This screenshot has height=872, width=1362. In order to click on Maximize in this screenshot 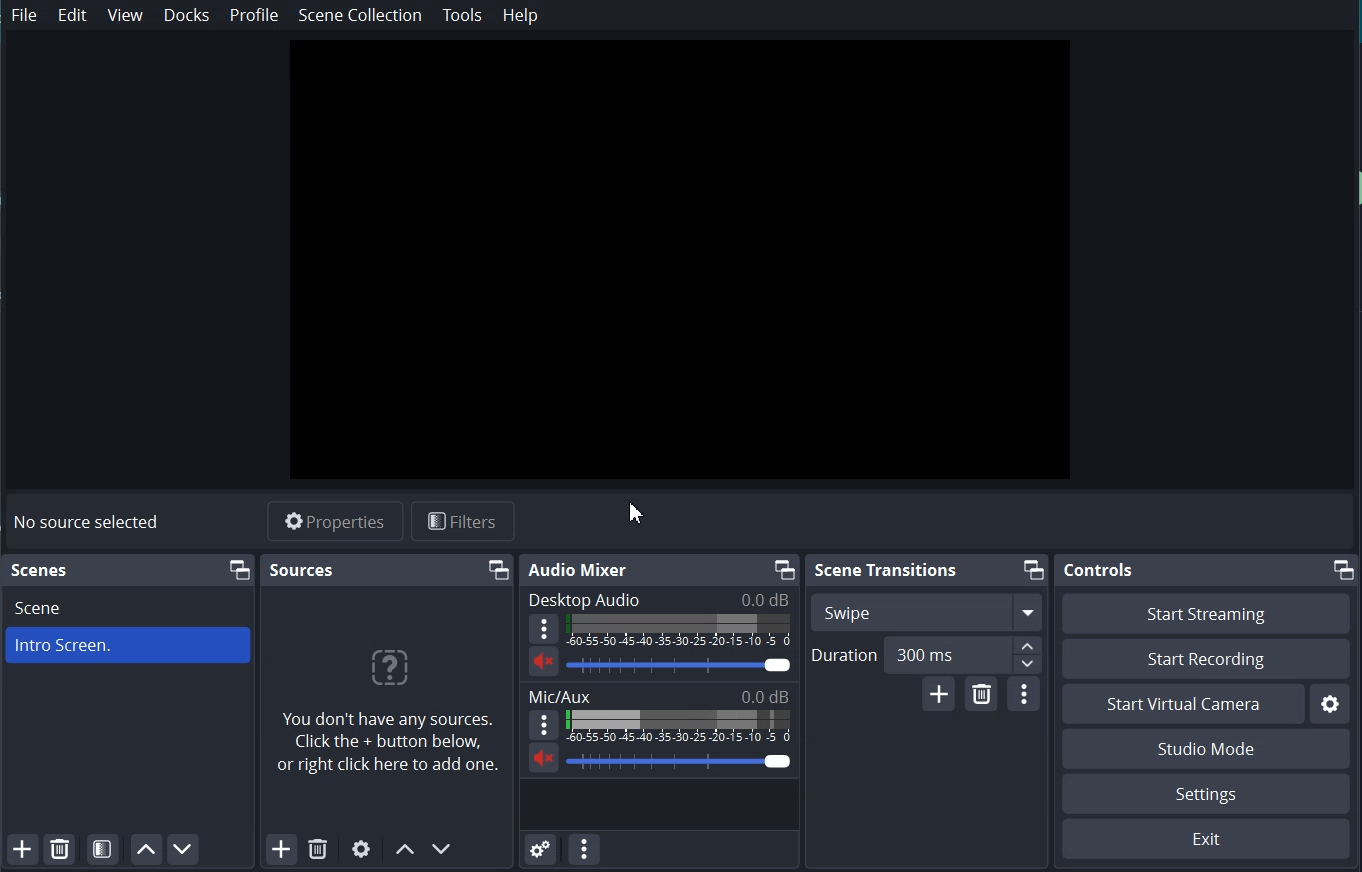, I will do `click(239, 570)`.